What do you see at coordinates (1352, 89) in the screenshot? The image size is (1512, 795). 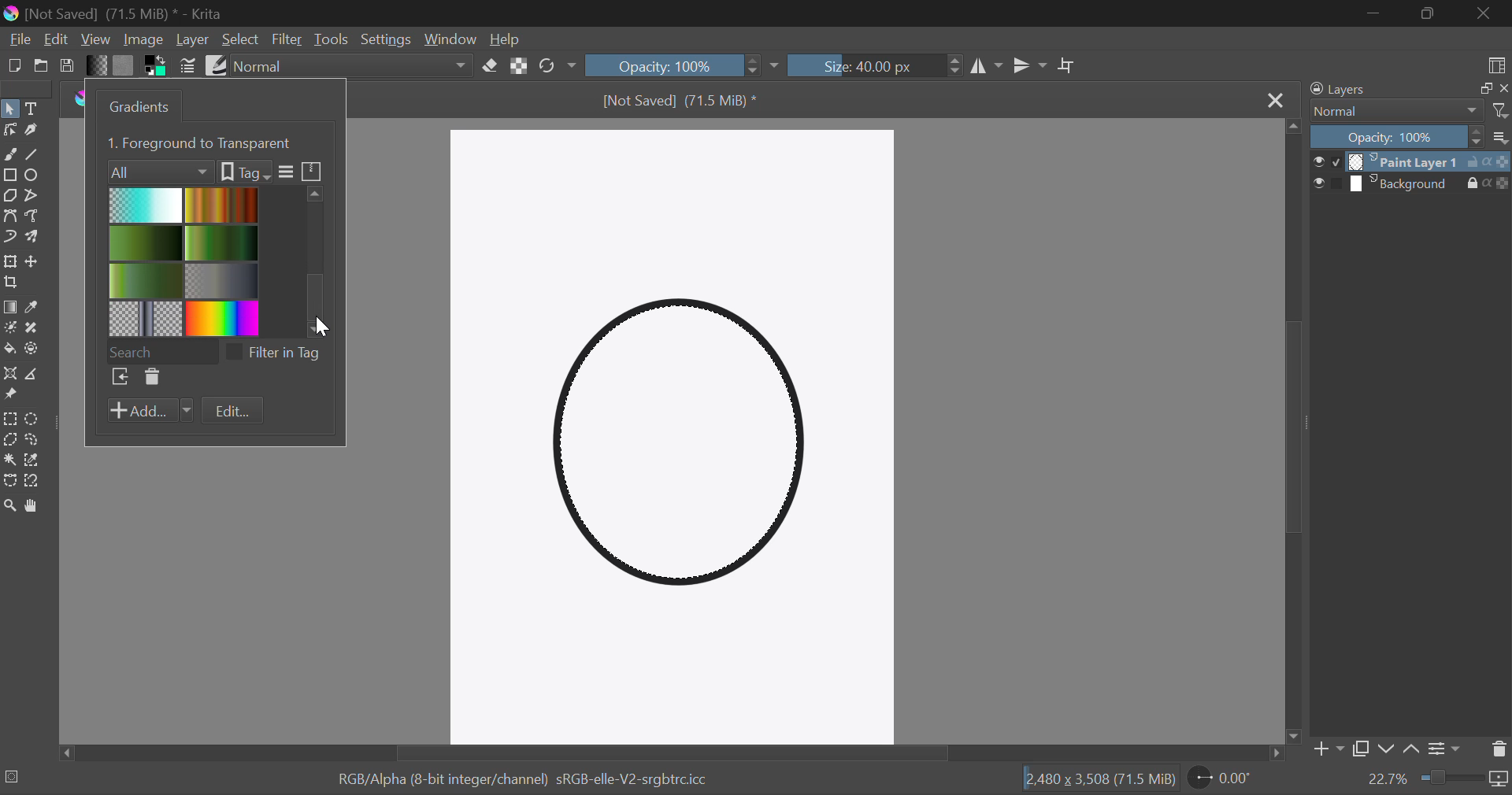 I see `Layers Docker` at bounding box center [1352, 89].